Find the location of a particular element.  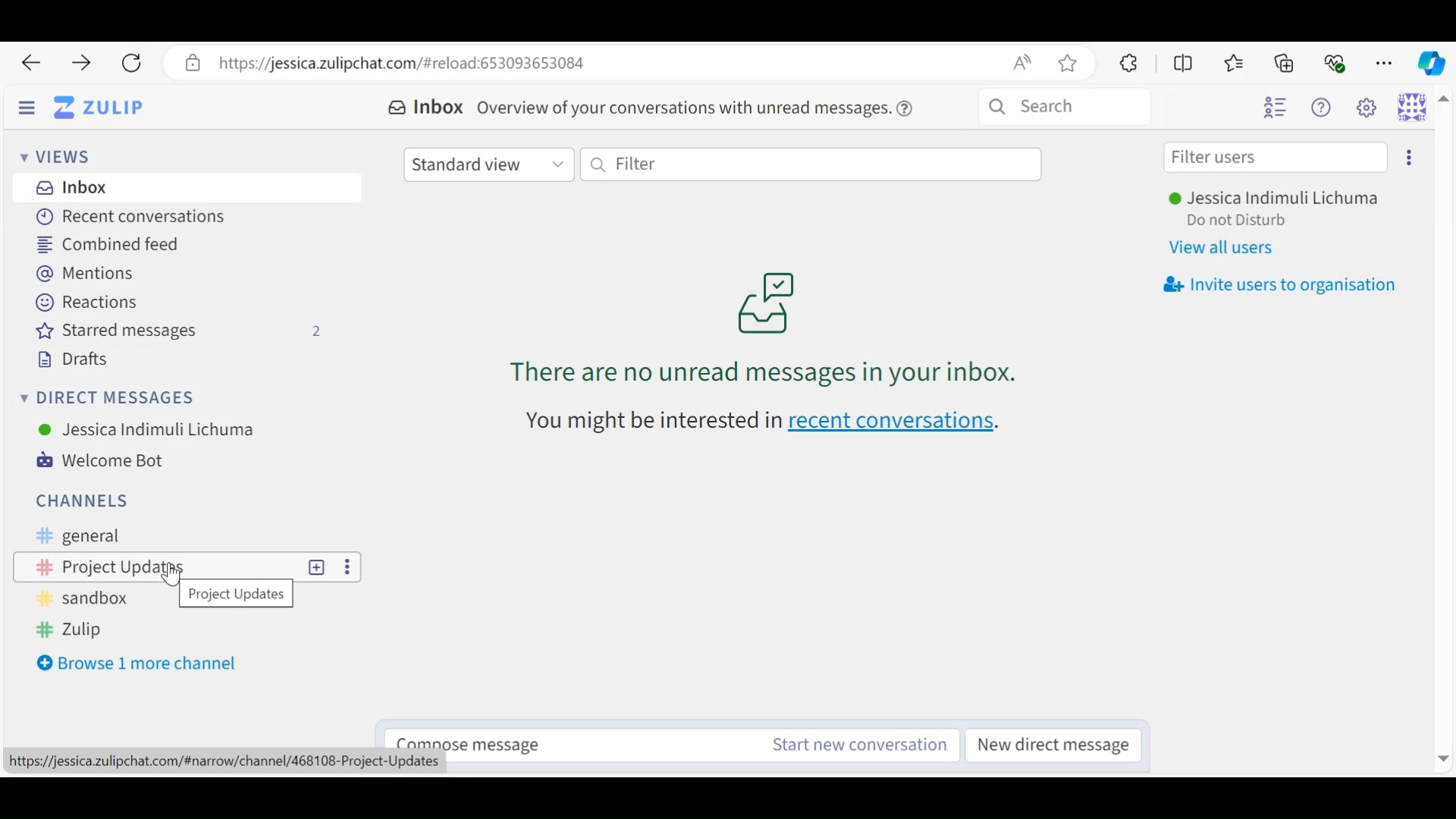

Inbox is located at coordinates (425, 108).